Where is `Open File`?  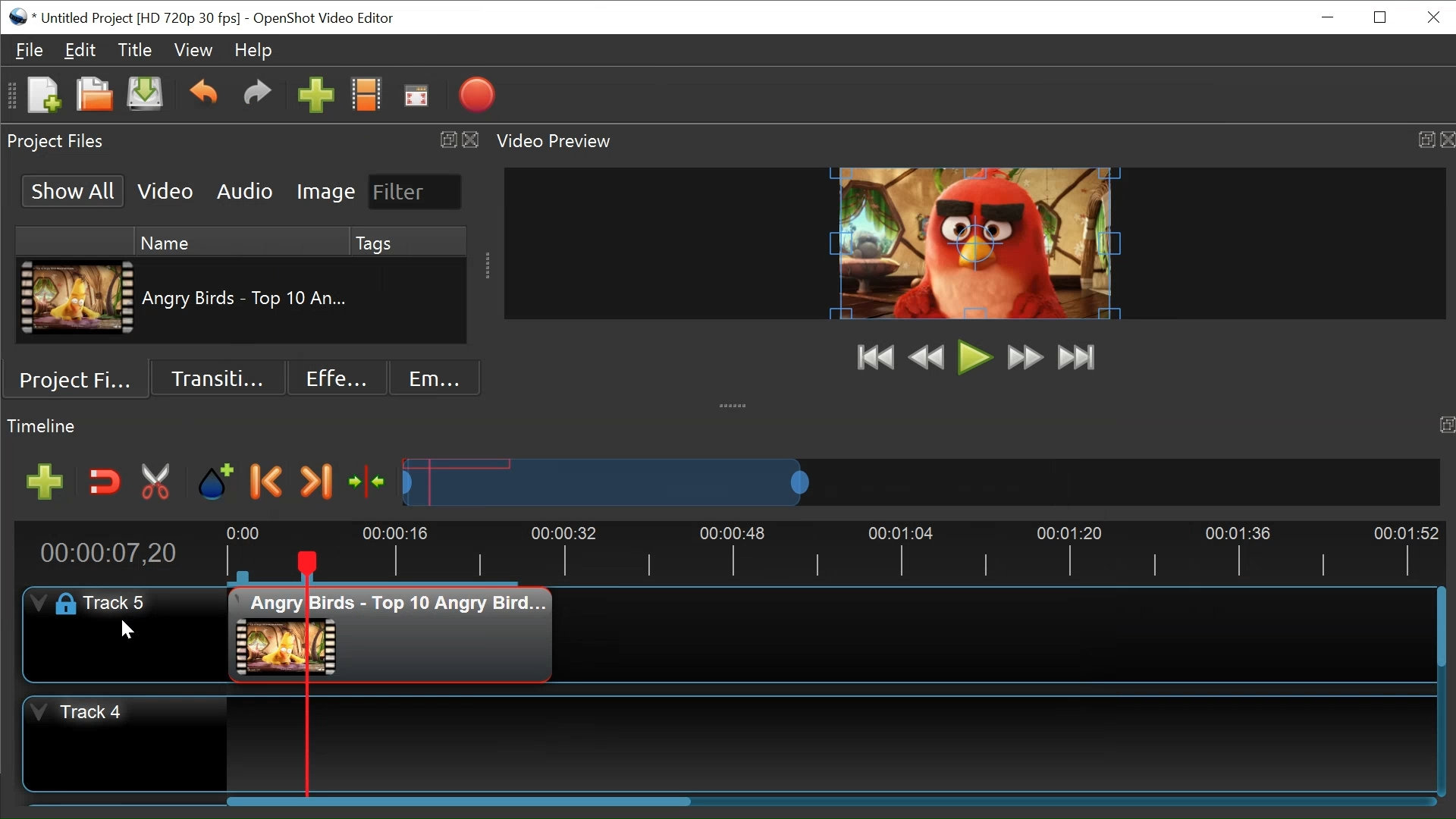
Open File is located at coordinates (96, 96).